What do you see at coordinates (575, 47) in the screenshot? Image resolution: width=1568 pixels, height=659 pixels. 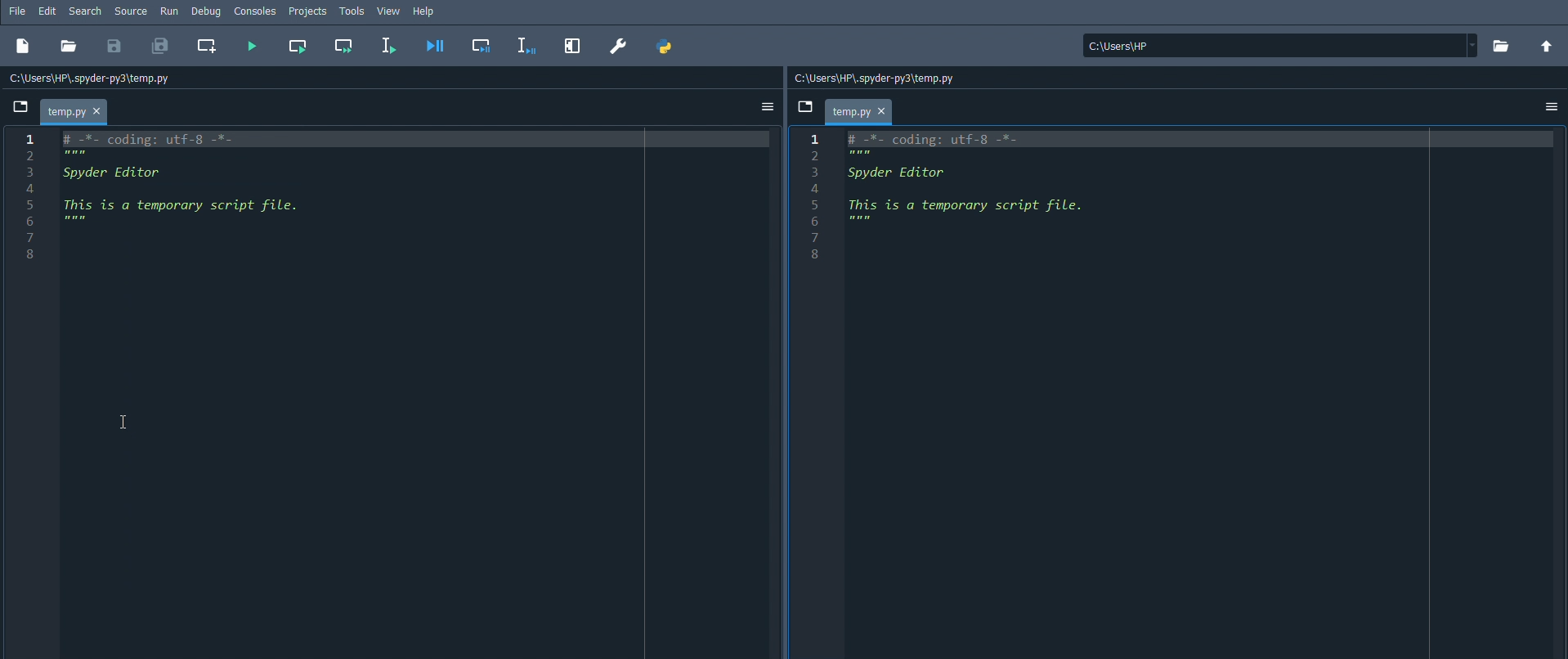 I see `Maximize current pane` at bounding box center [575, 47].